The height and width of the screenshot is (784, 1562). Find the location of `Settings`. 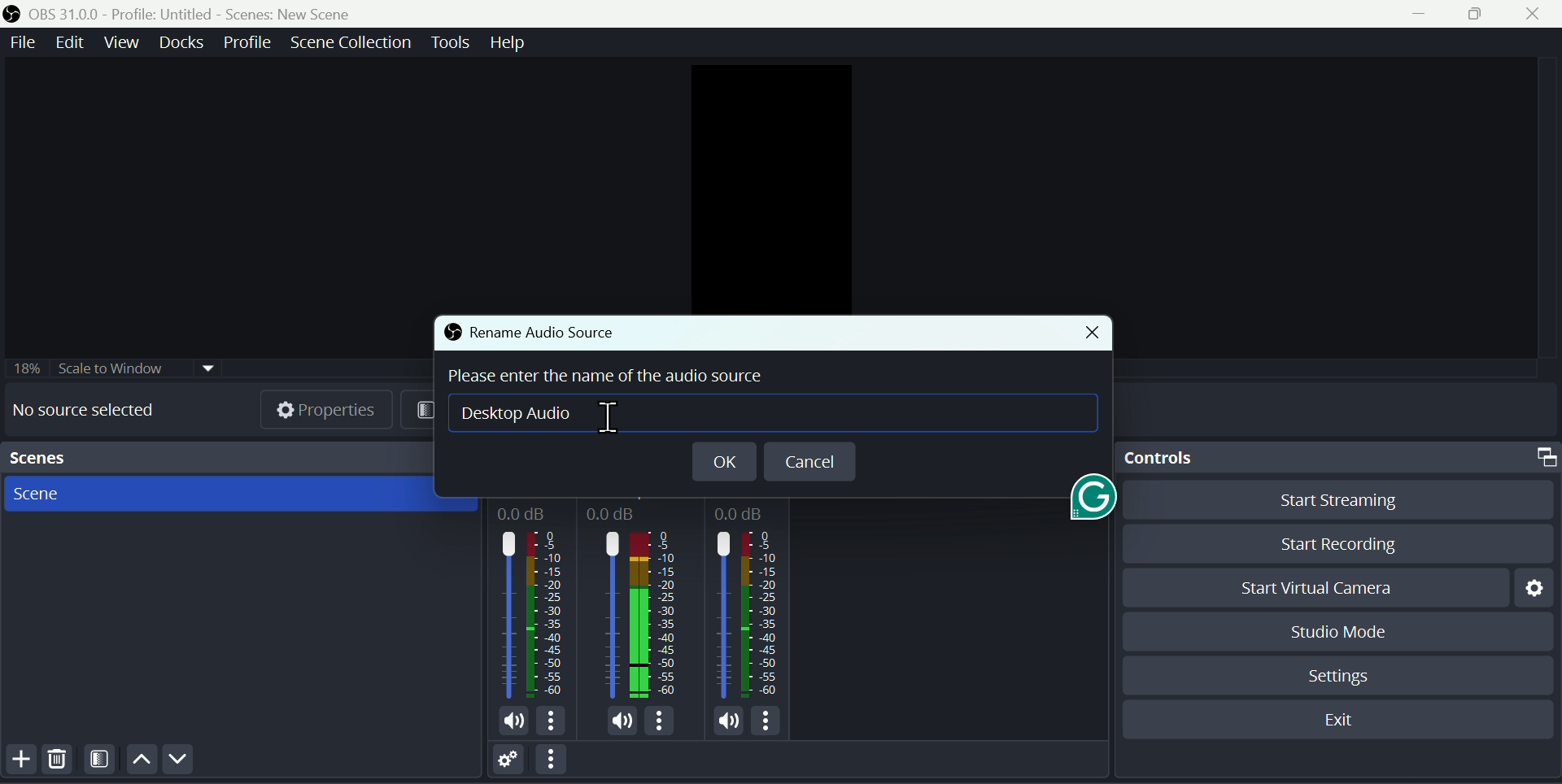

Settings is located at coordinates (1530, 588).